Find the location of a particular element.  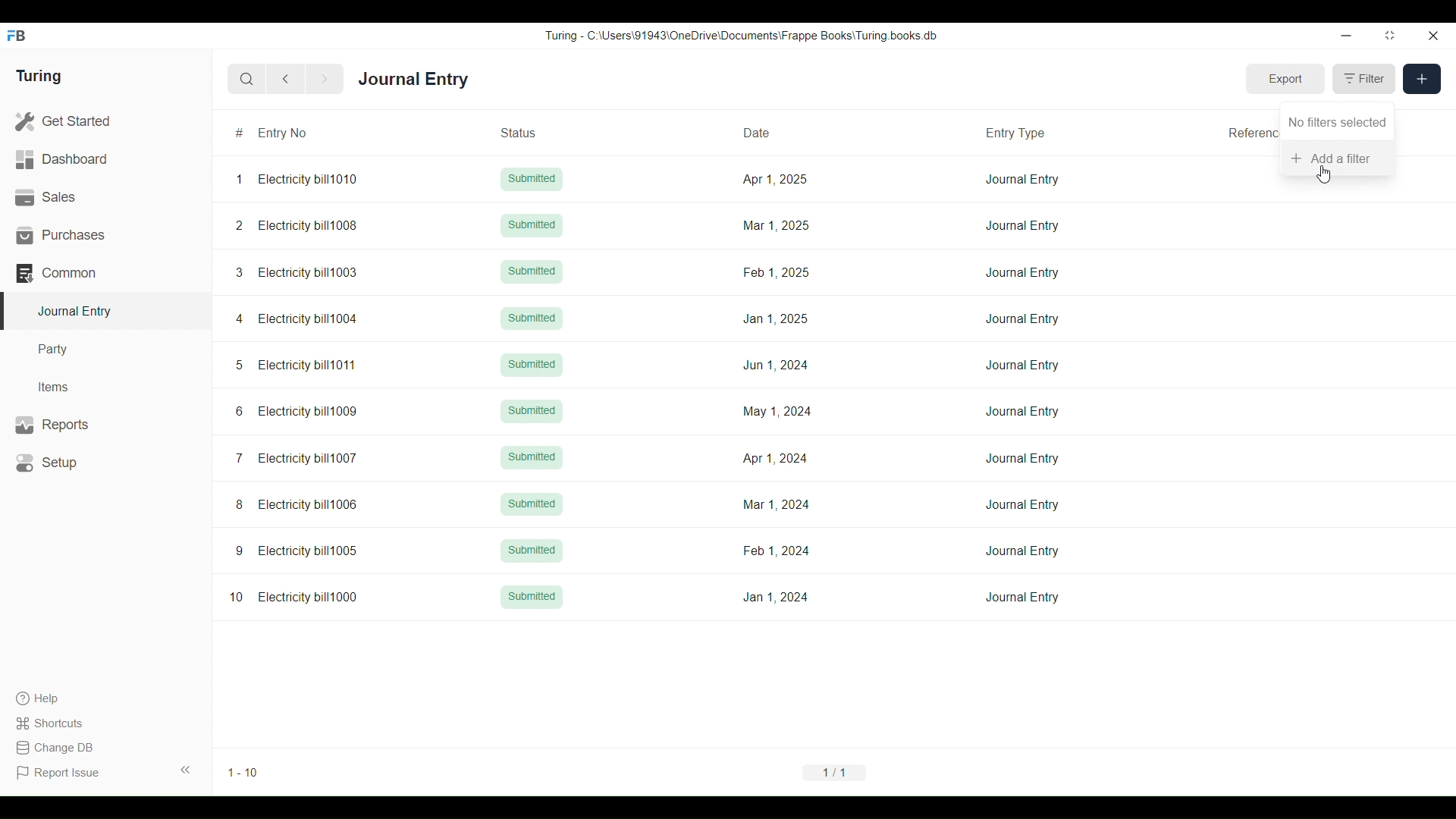

Shortcuts is located at coordinates (58, 723).